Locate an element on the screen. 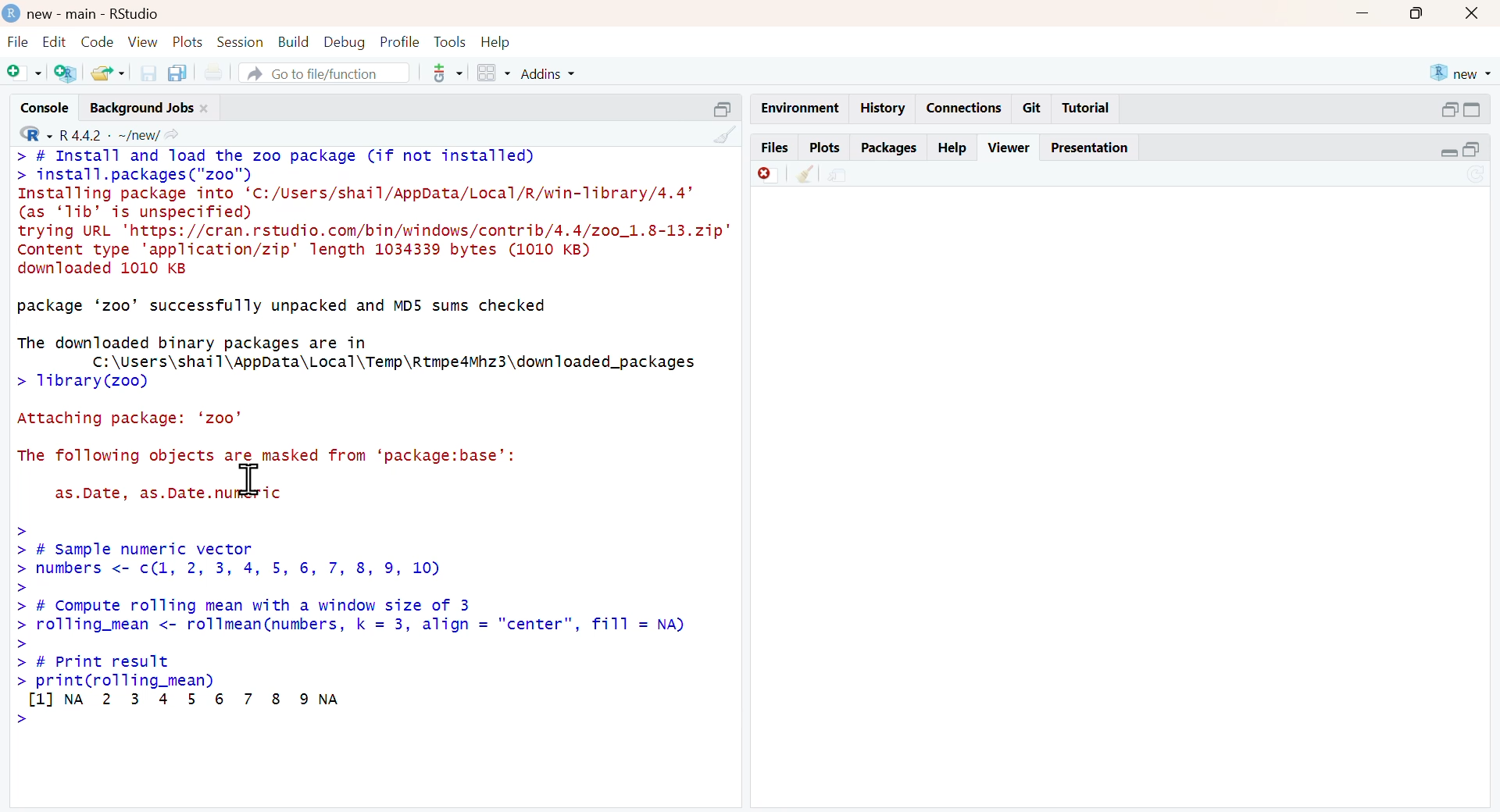 The width and height of the screenshot is (1500, 812). Sync is located at coordinates (1478, 175).